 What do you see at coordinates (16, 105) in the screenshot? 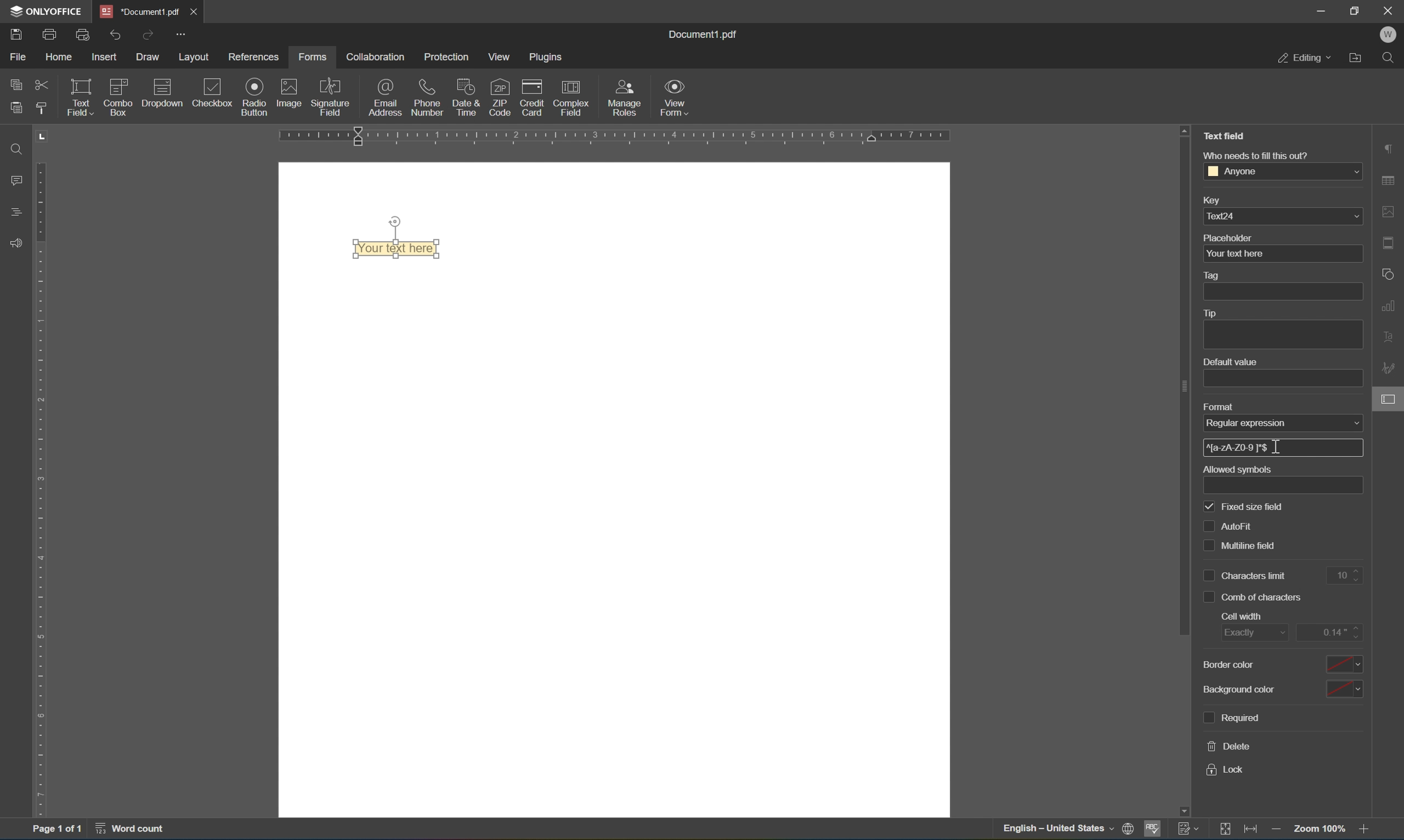
I see `paste` at bounding box center [16, 105].